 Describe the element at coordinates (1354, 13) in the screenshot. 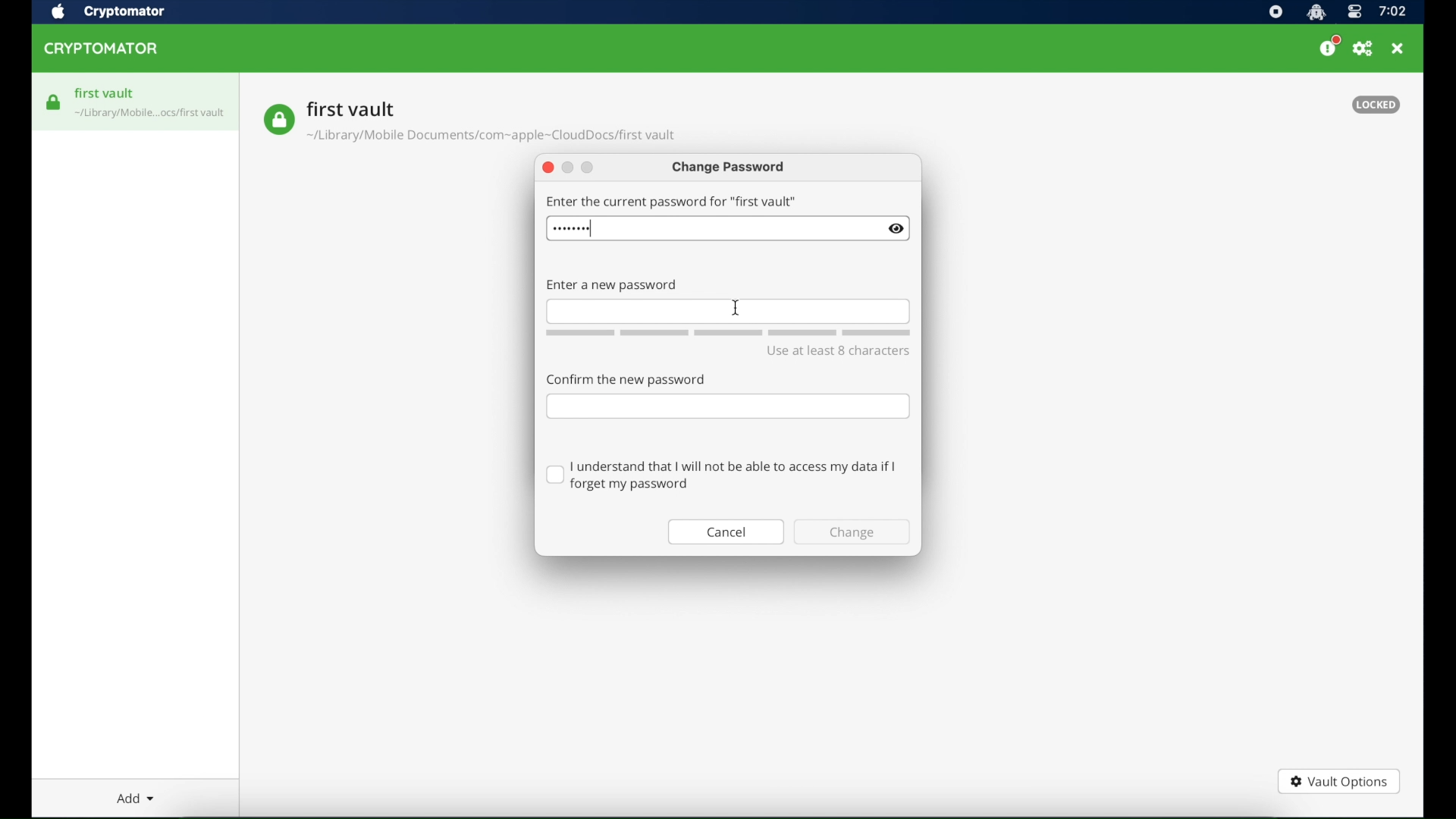

I see `control center` at that location.